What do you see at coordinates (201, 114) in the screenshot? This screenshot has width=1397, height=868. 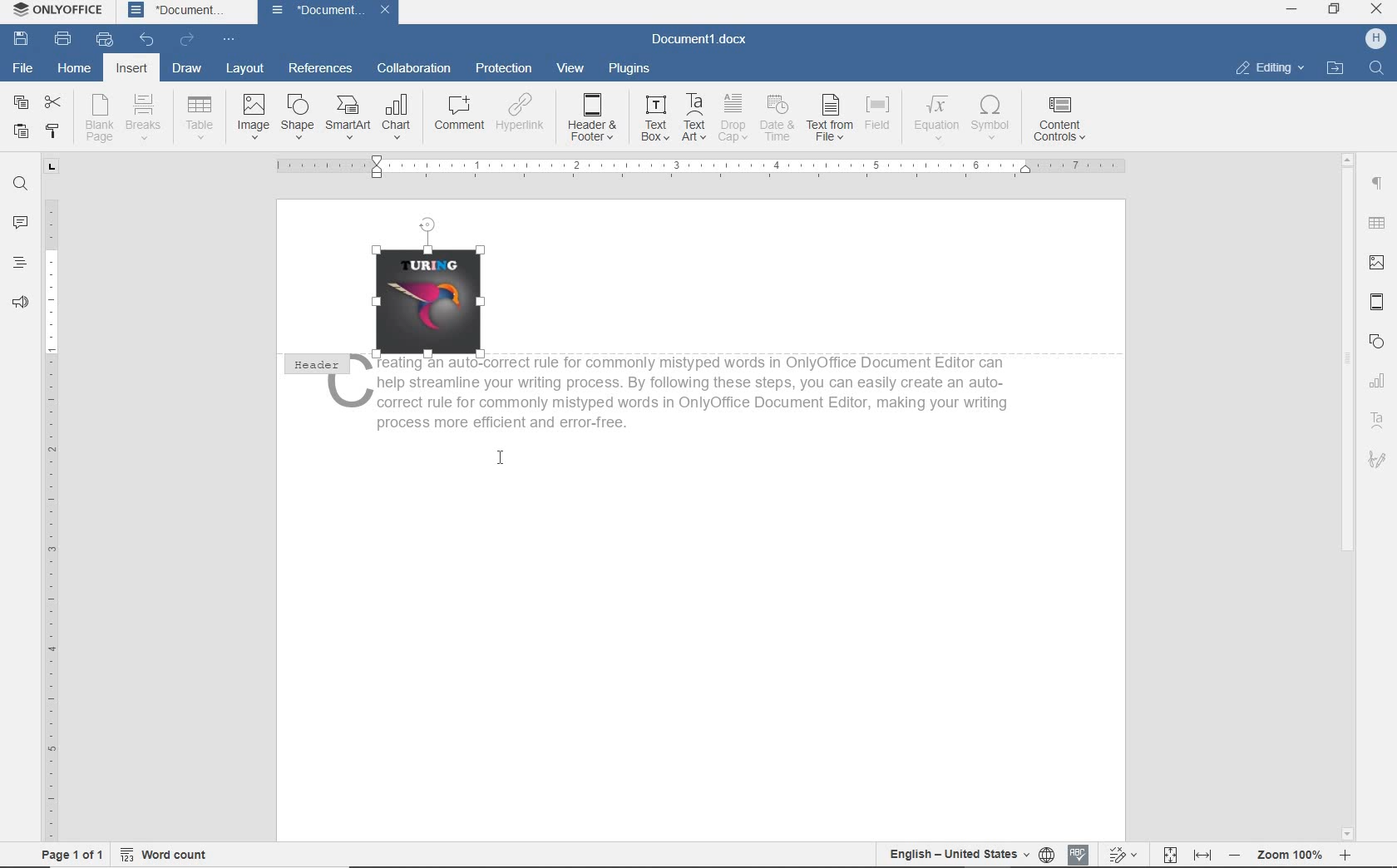 I see `` at bounding box center [201, 114].